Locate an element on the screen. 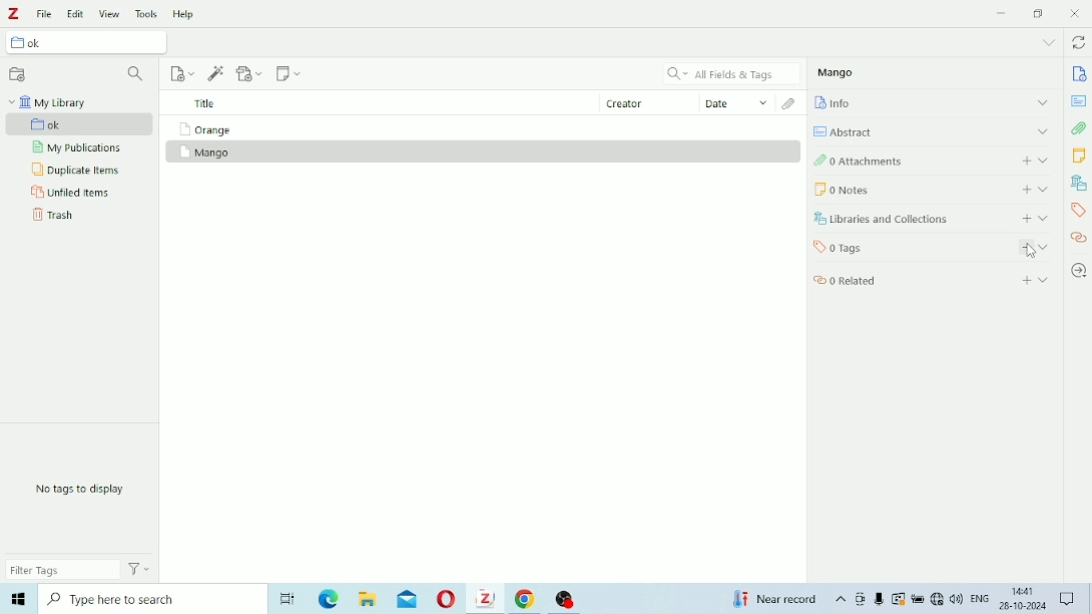  Charging, plugged in is located at coordinates (918, 599).